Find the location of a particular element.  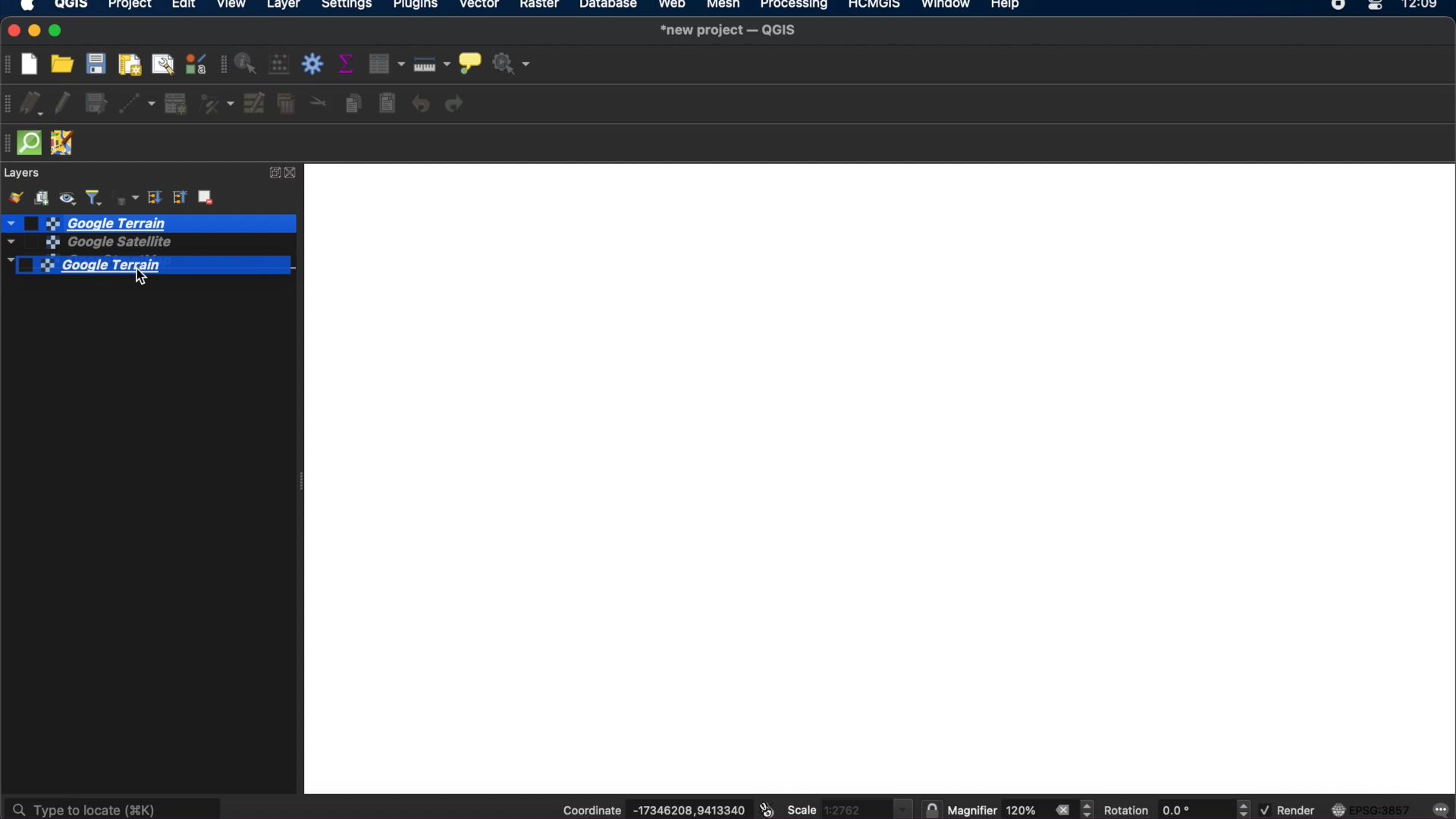

control center is located at coordinates (1377, 6).